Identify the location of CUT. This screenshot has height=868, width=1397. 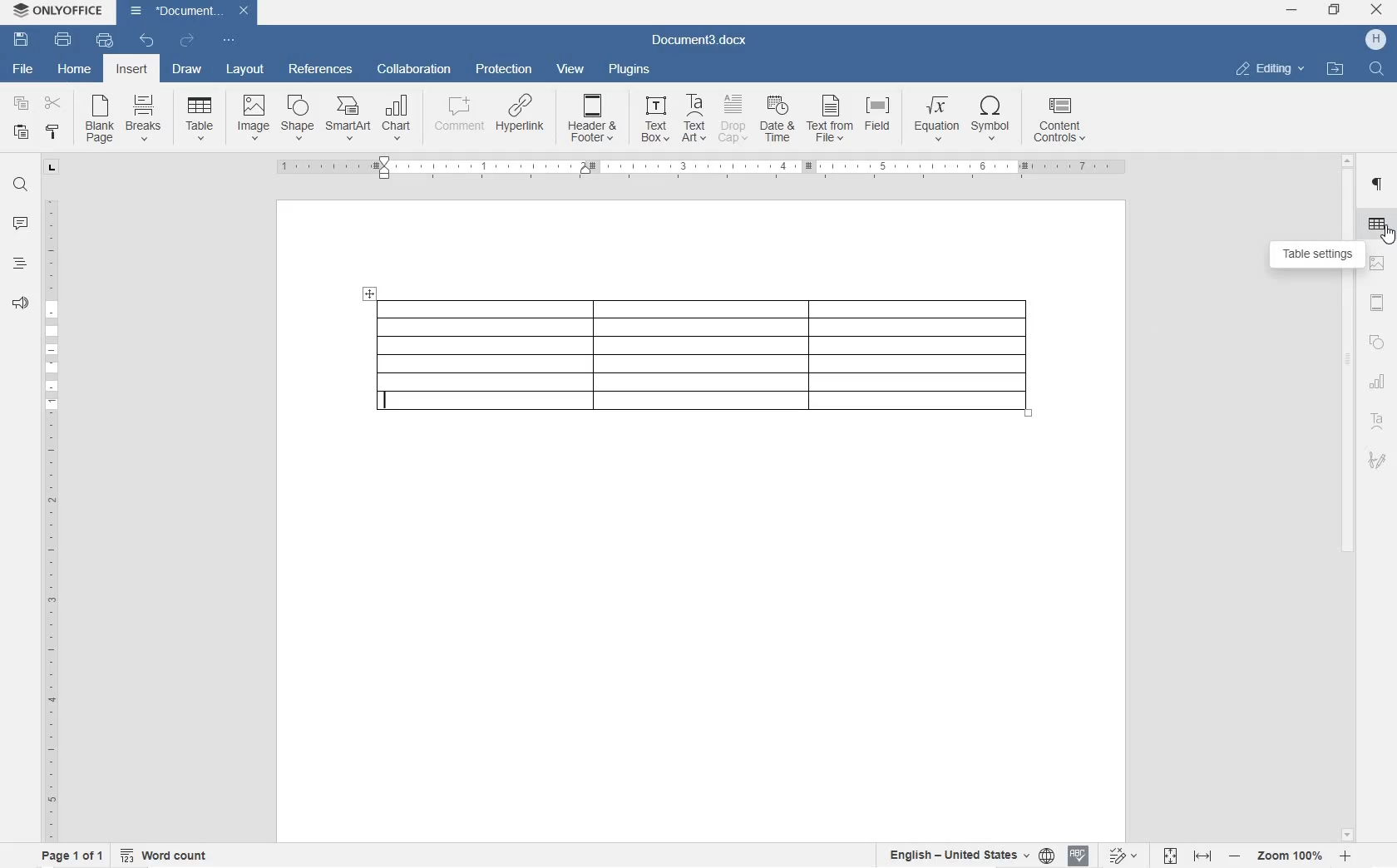
(52, 104).